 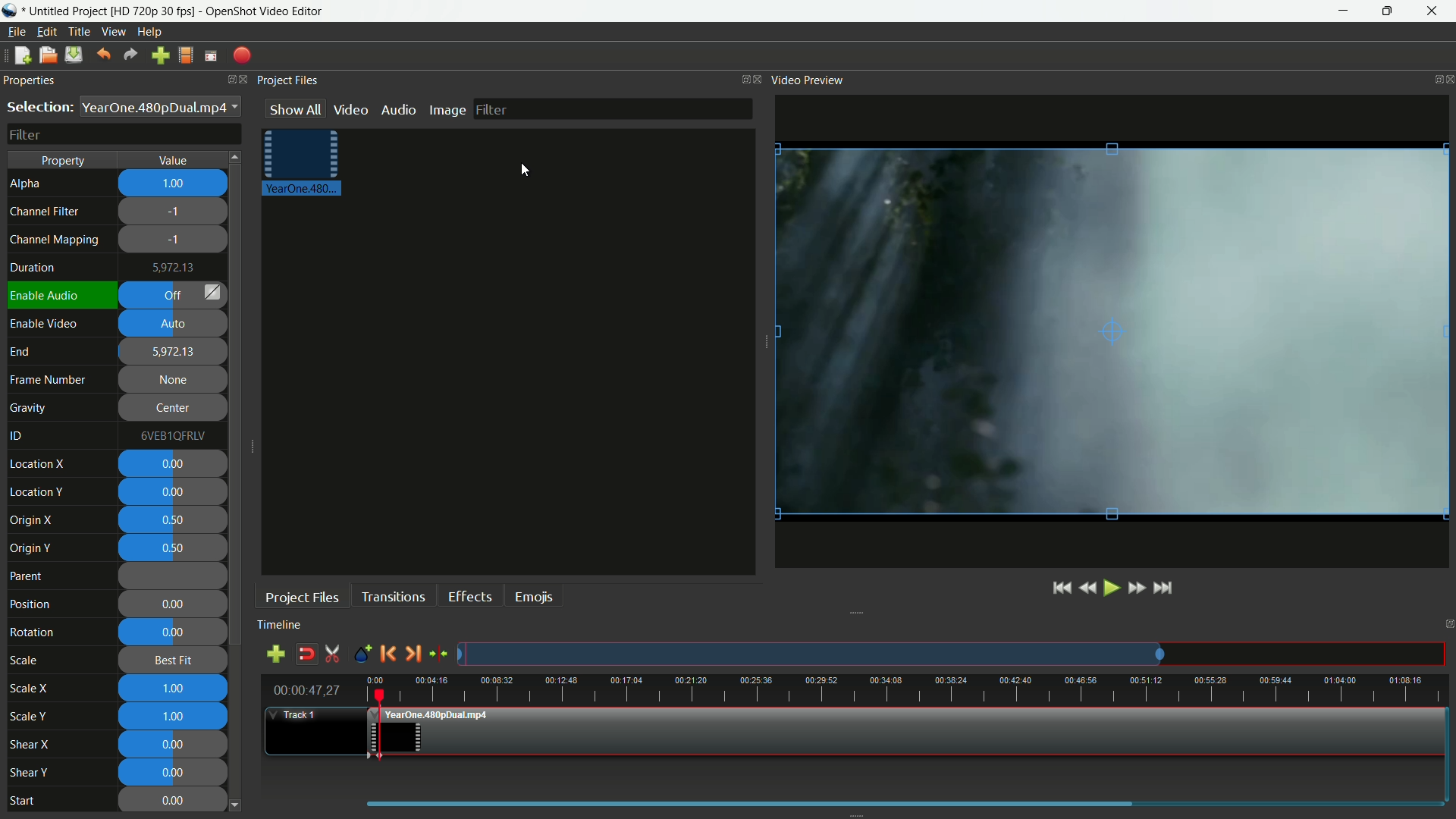 I want to click on fast forward, so click(x=1102, y=588).